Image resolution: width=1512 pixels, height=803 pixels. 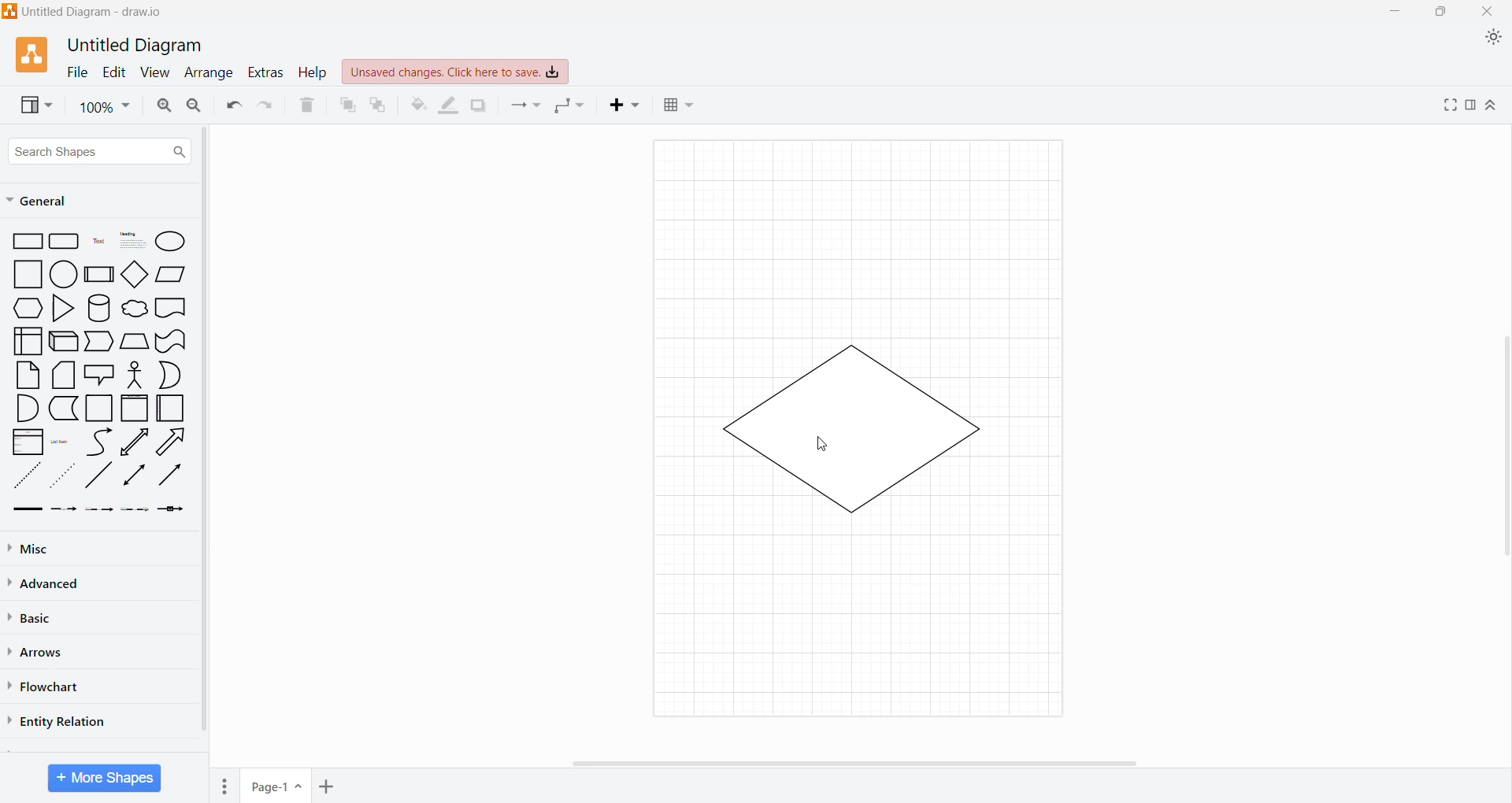 I want to click on Restore Down, so click(x=1443, y=12).